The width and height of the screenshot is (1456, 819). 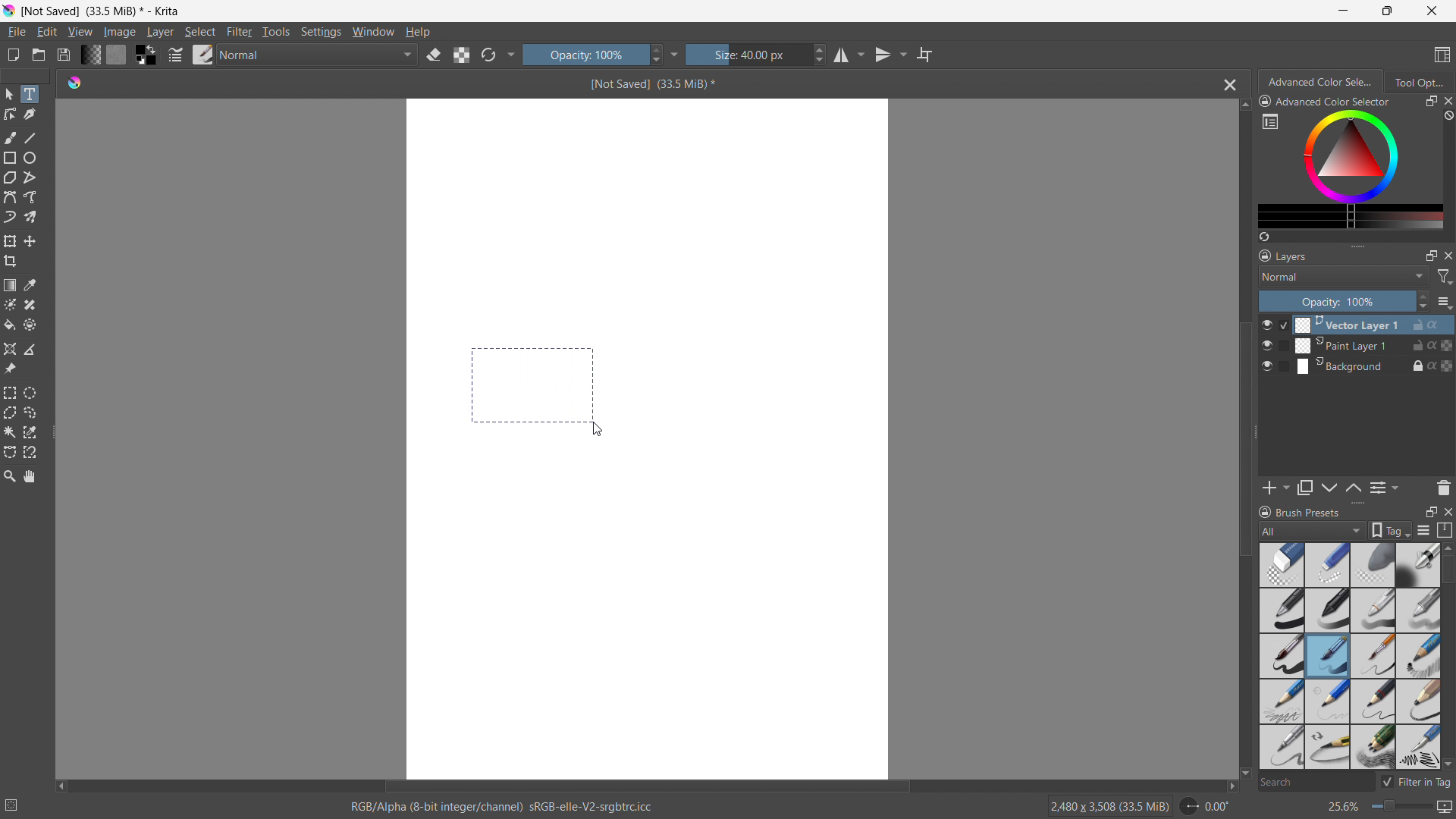 What do you see at coordinates (31, 137) in the screenshot?
I see `line tool` at bounding box center [31, 137].